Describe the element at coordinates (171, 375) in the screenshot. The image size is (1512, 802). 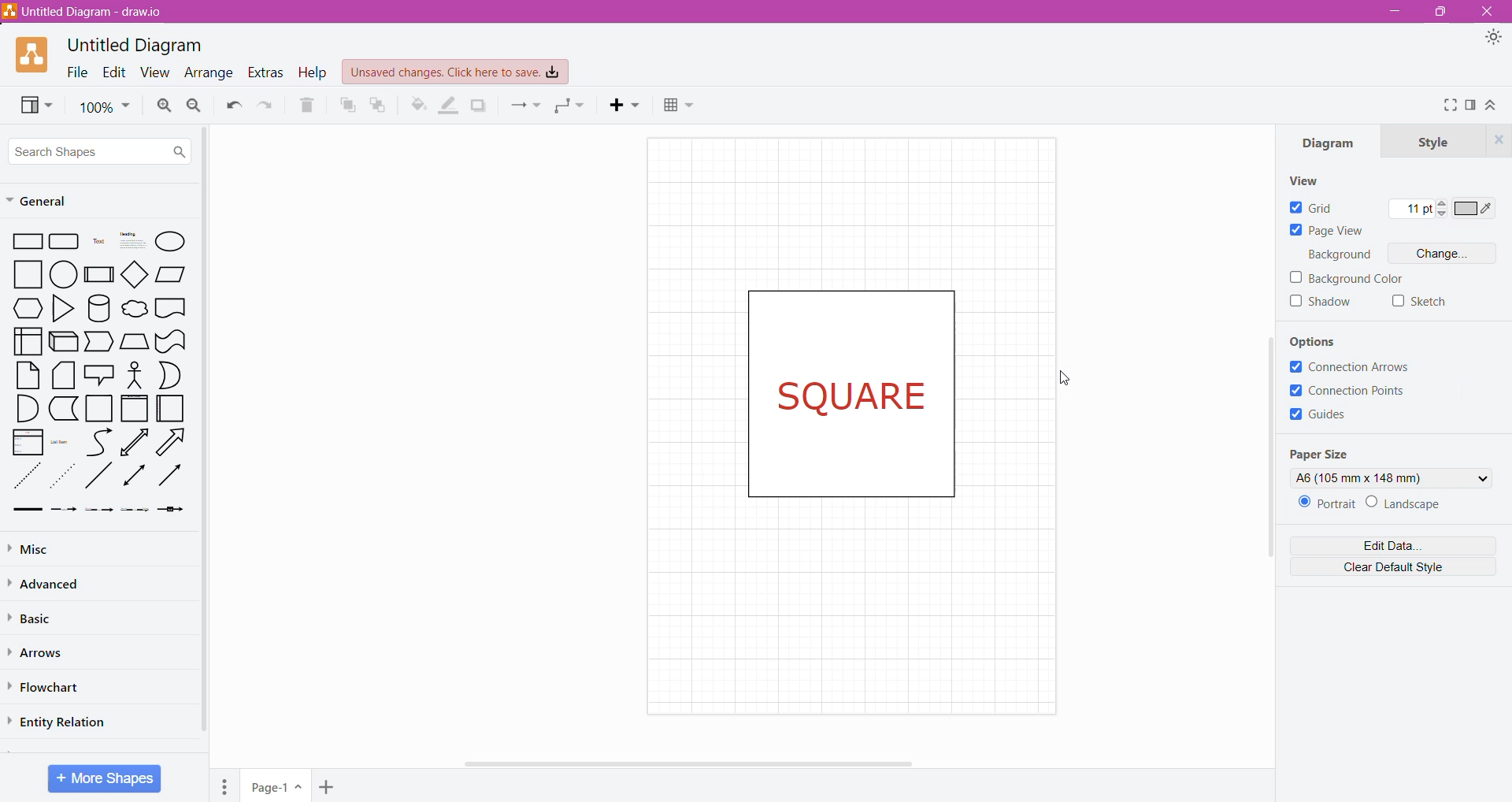
I see `Half Circle ` at that location.